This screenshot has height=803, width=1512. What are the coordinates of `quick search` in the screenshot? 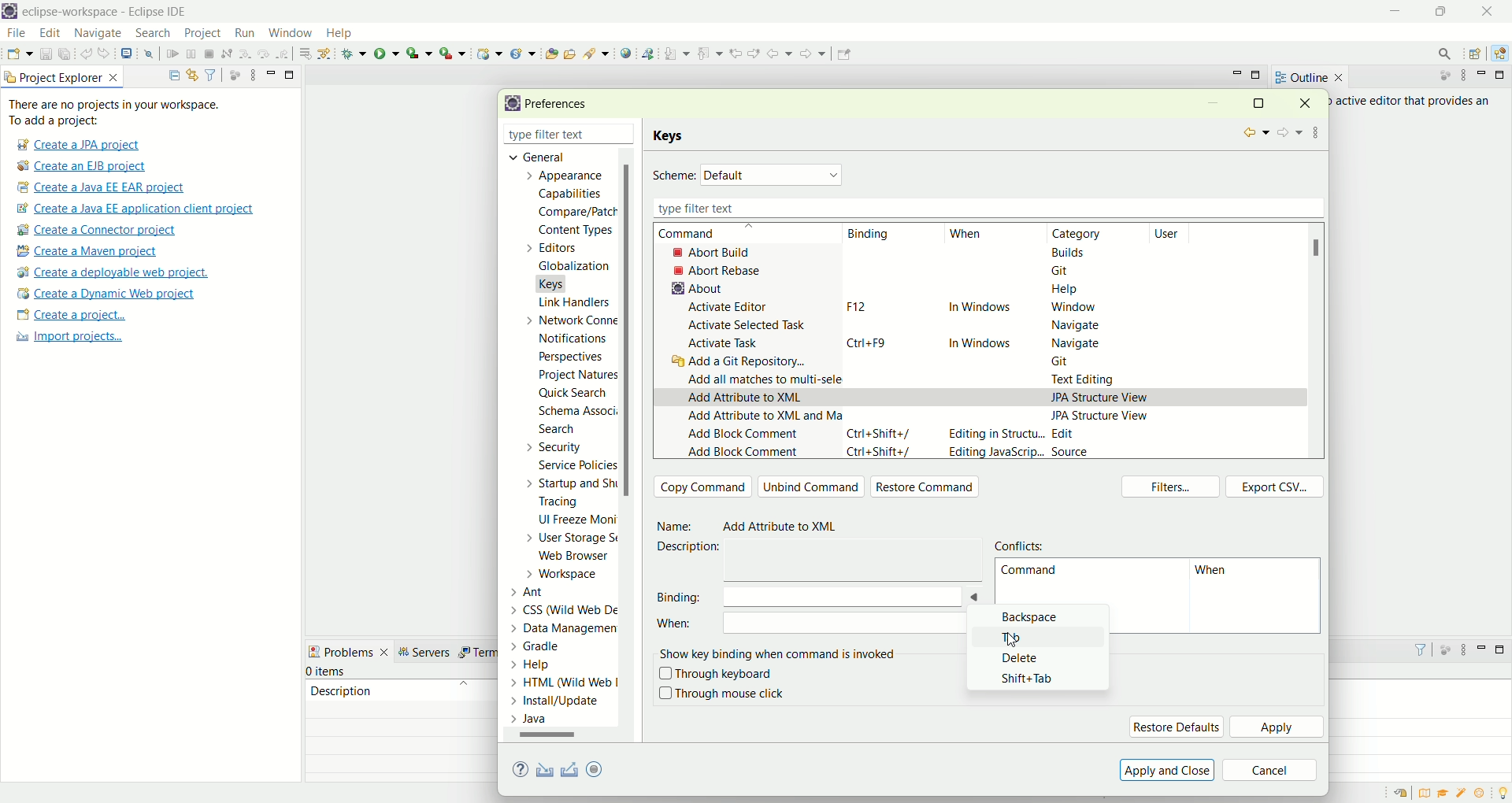 It's located at (573, 395).